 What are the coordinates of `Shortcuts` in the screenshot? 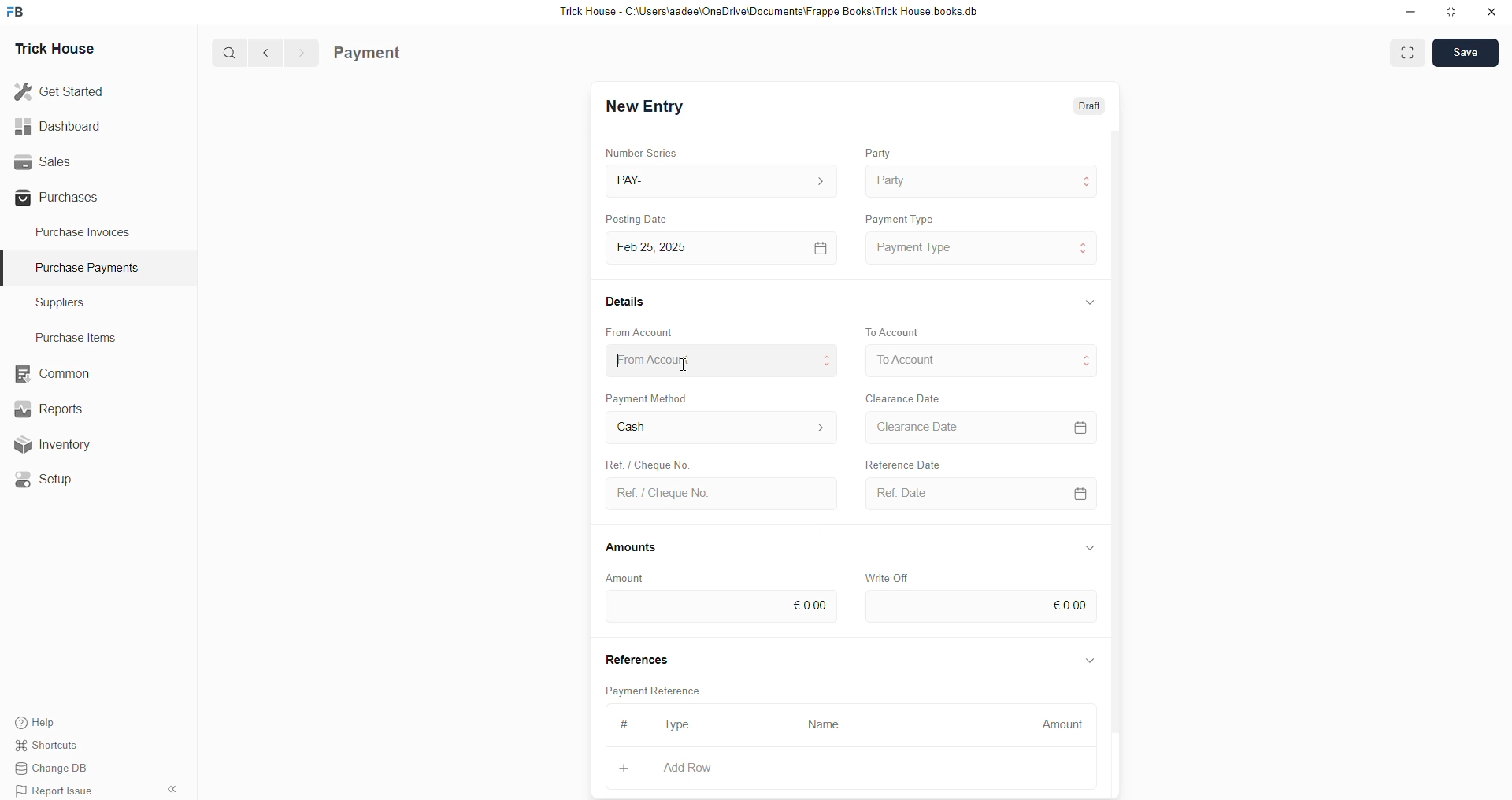 It's located at (56, 747).